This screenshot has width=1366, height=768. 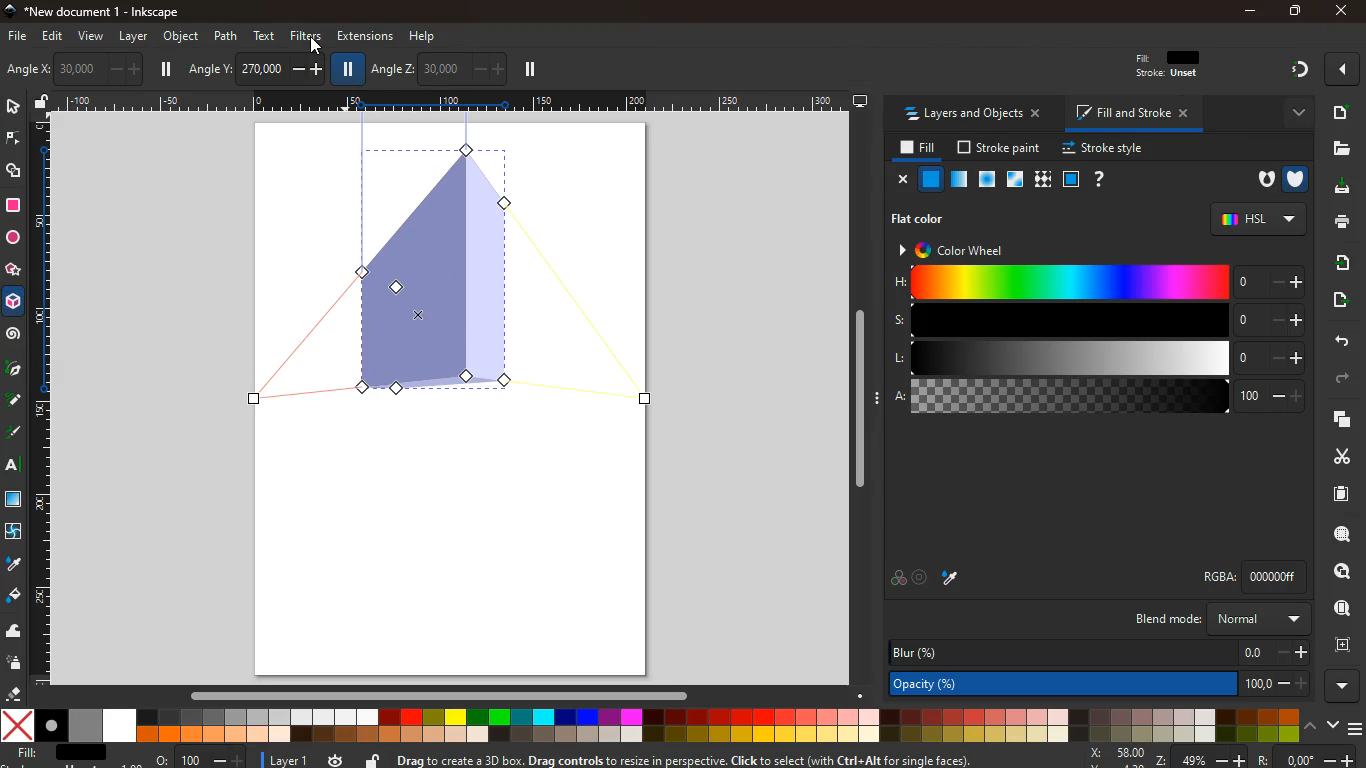 What do you see at coordinates (438, 693) in the screenshot?
I see `Scrollbar` at bounding box center [438, 693].